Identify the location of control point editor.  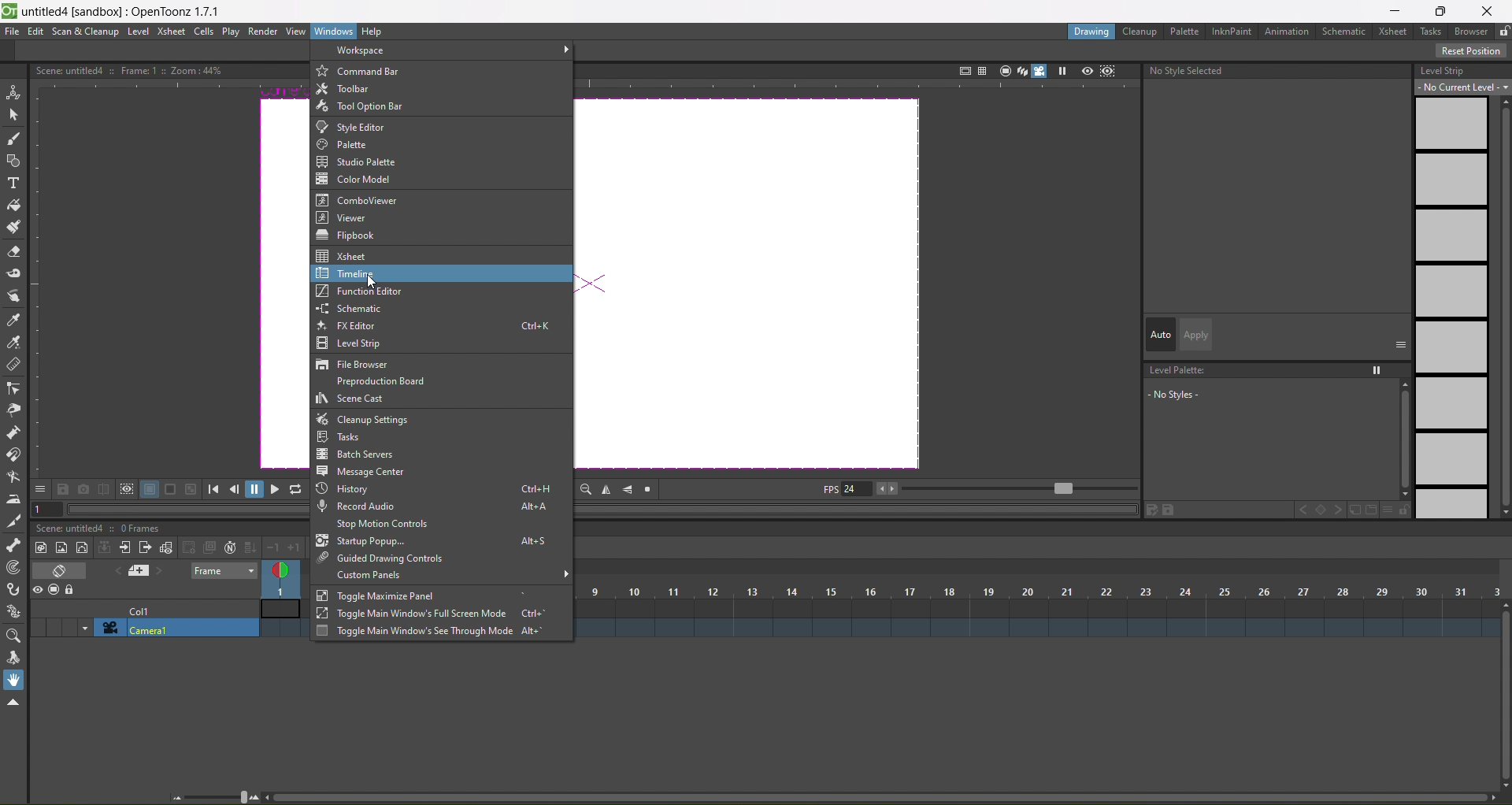
(13, 388).